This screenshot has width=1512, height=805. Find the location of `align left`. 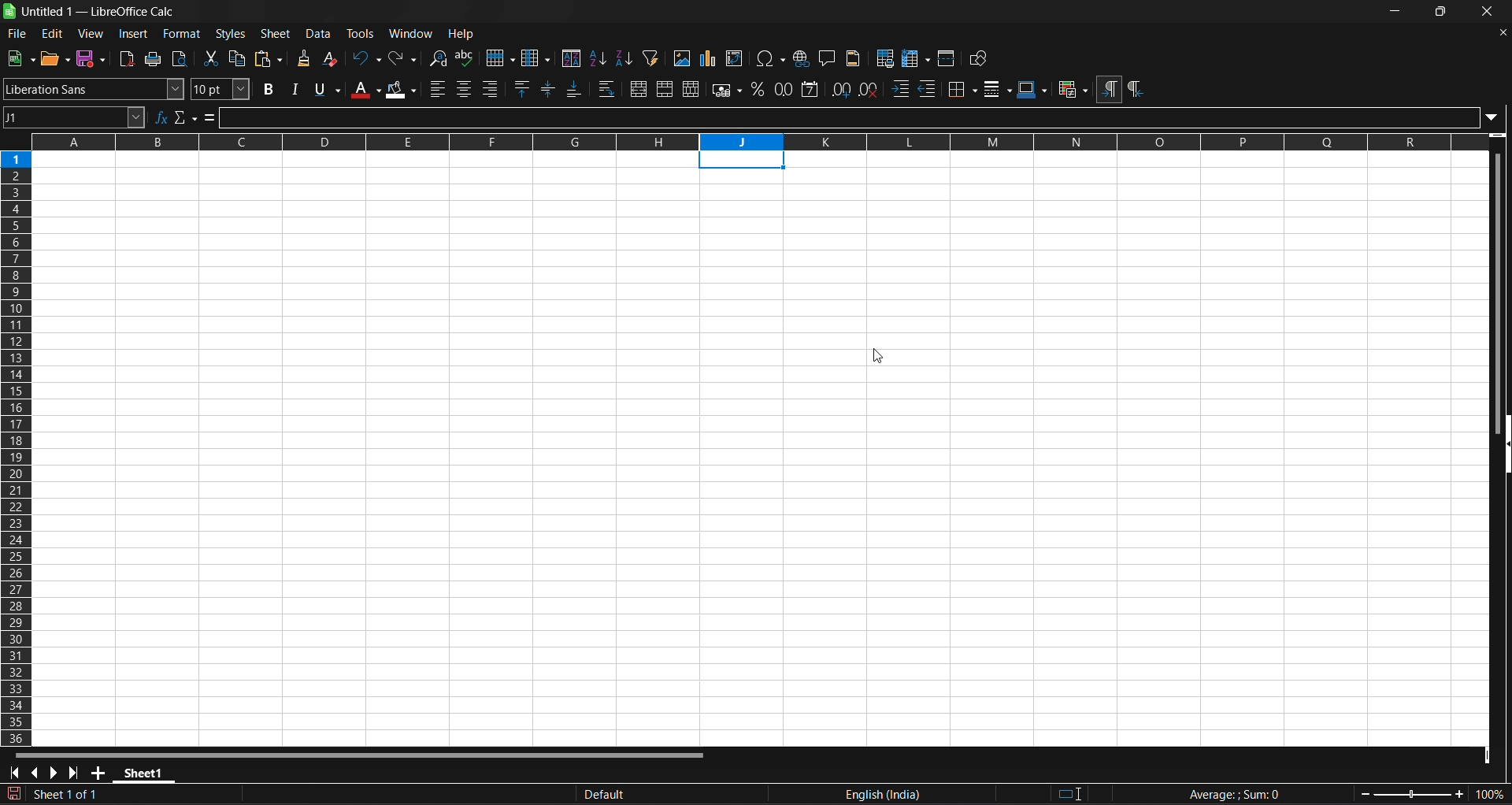

align left is located at coordinates (435, 90).